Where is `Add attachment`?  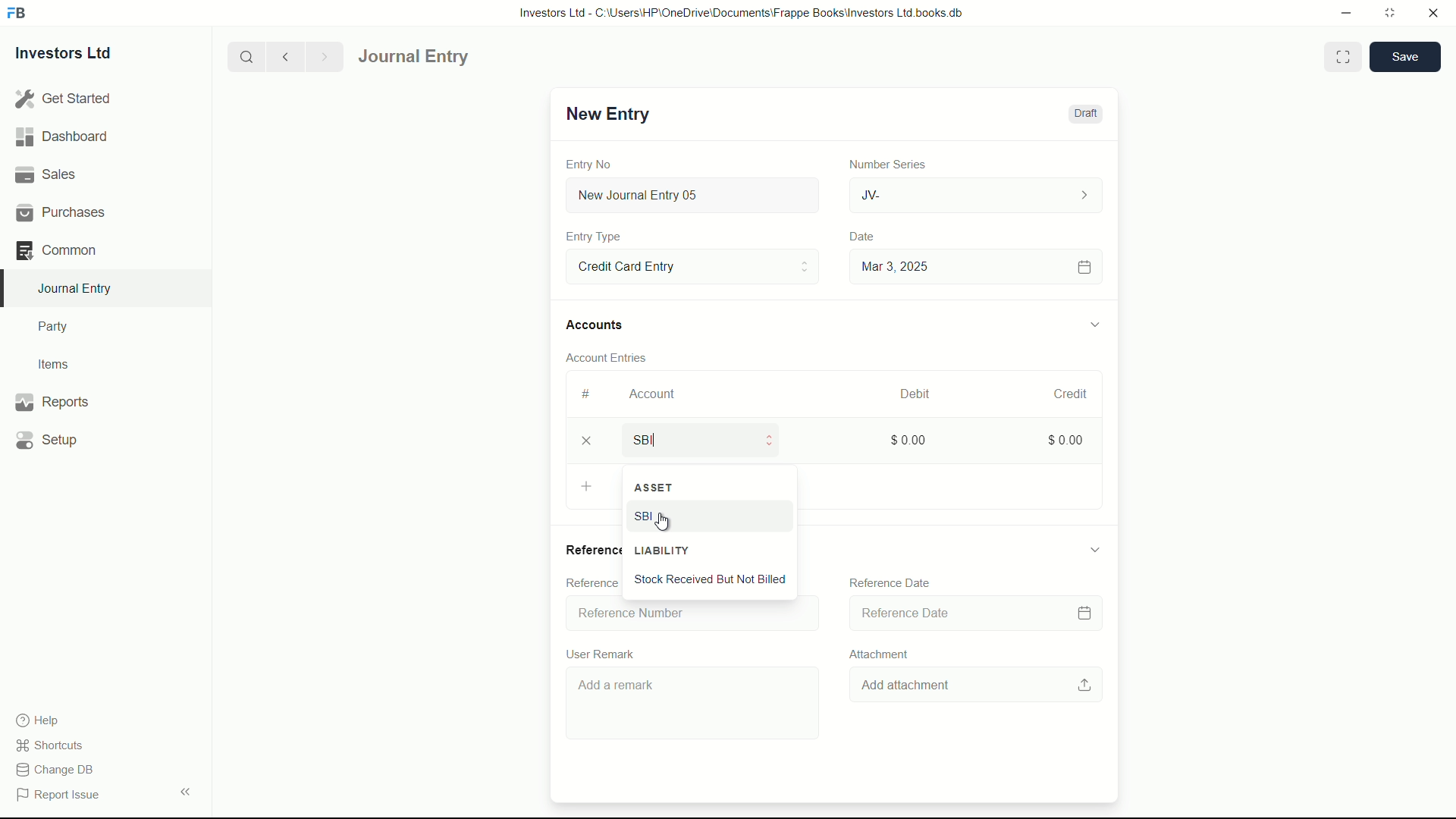
Add attachment is located at coordinates (980, 684).